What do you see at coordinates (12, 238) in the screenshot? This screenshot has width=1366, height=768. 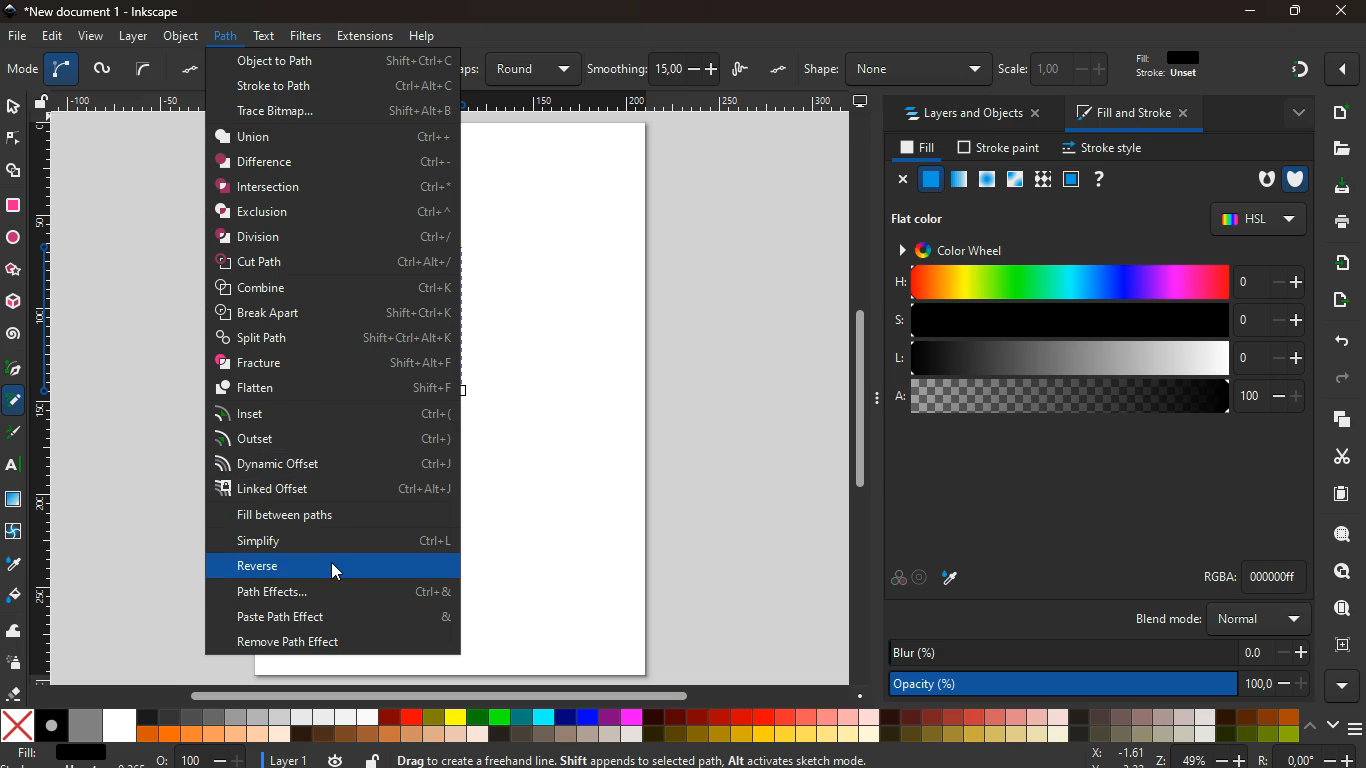 I see `circle` at bounding box center [12, 238].